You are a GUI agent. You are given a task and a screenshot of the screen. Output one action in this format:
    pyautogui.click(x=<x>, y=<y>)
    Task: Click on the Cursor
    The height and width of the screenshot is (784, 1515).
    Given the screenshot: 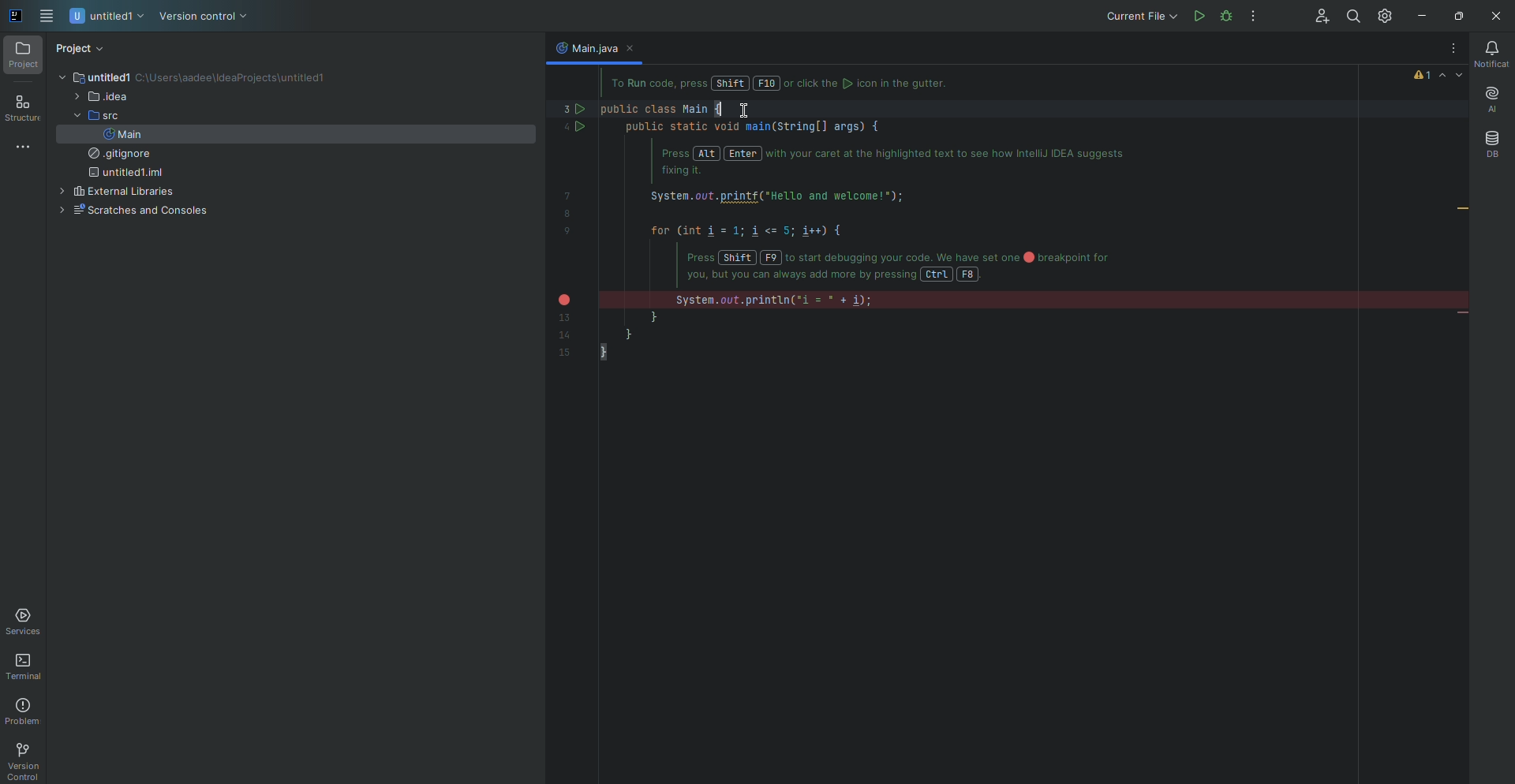 What is the action you would take?
    pyautogui.click(x=746, y=110)
    